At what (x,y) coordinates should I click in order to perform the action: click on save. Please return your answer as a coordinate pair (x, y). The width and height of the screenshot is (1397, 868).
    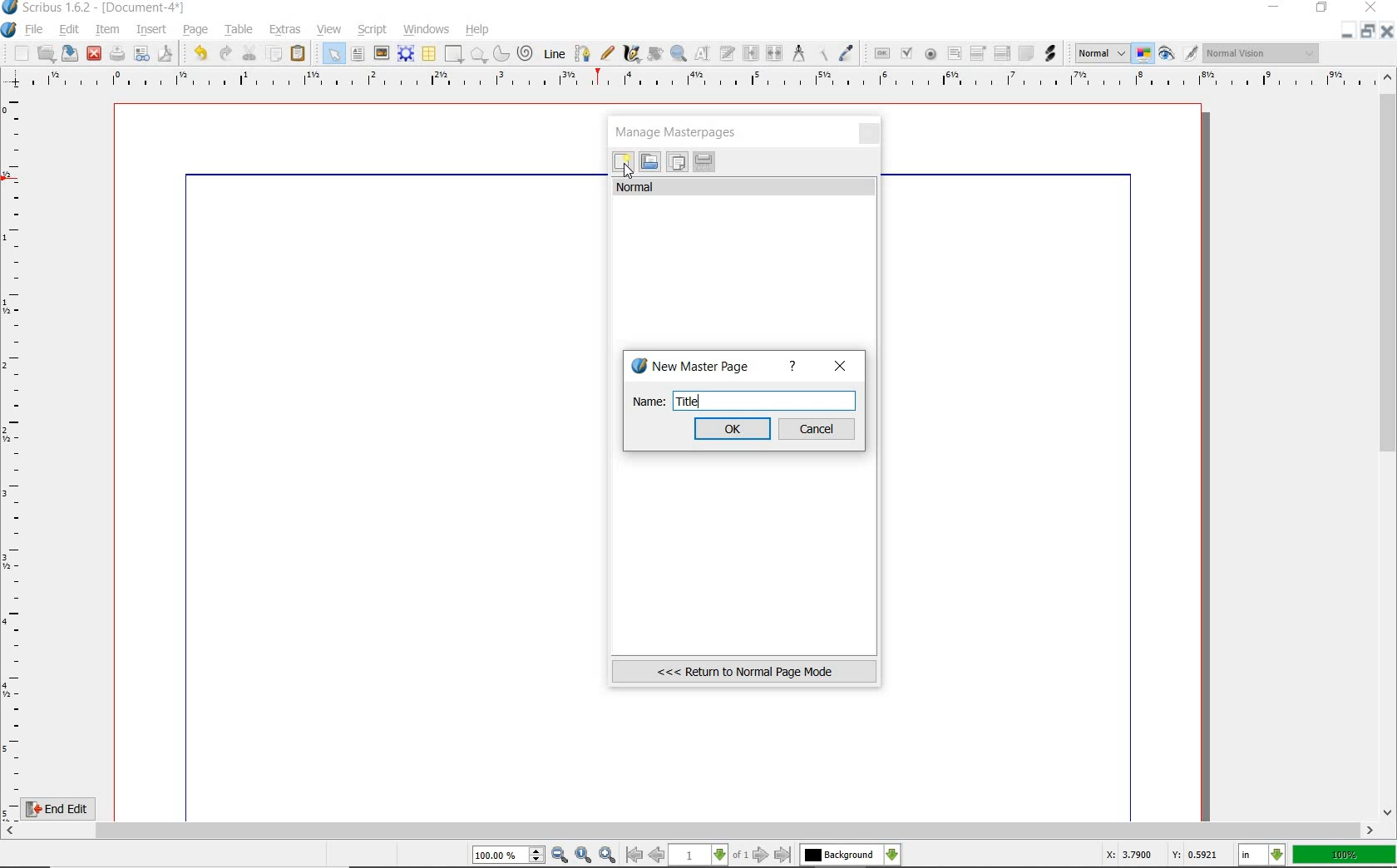
    Looking at the image, I should click on (71, 53).